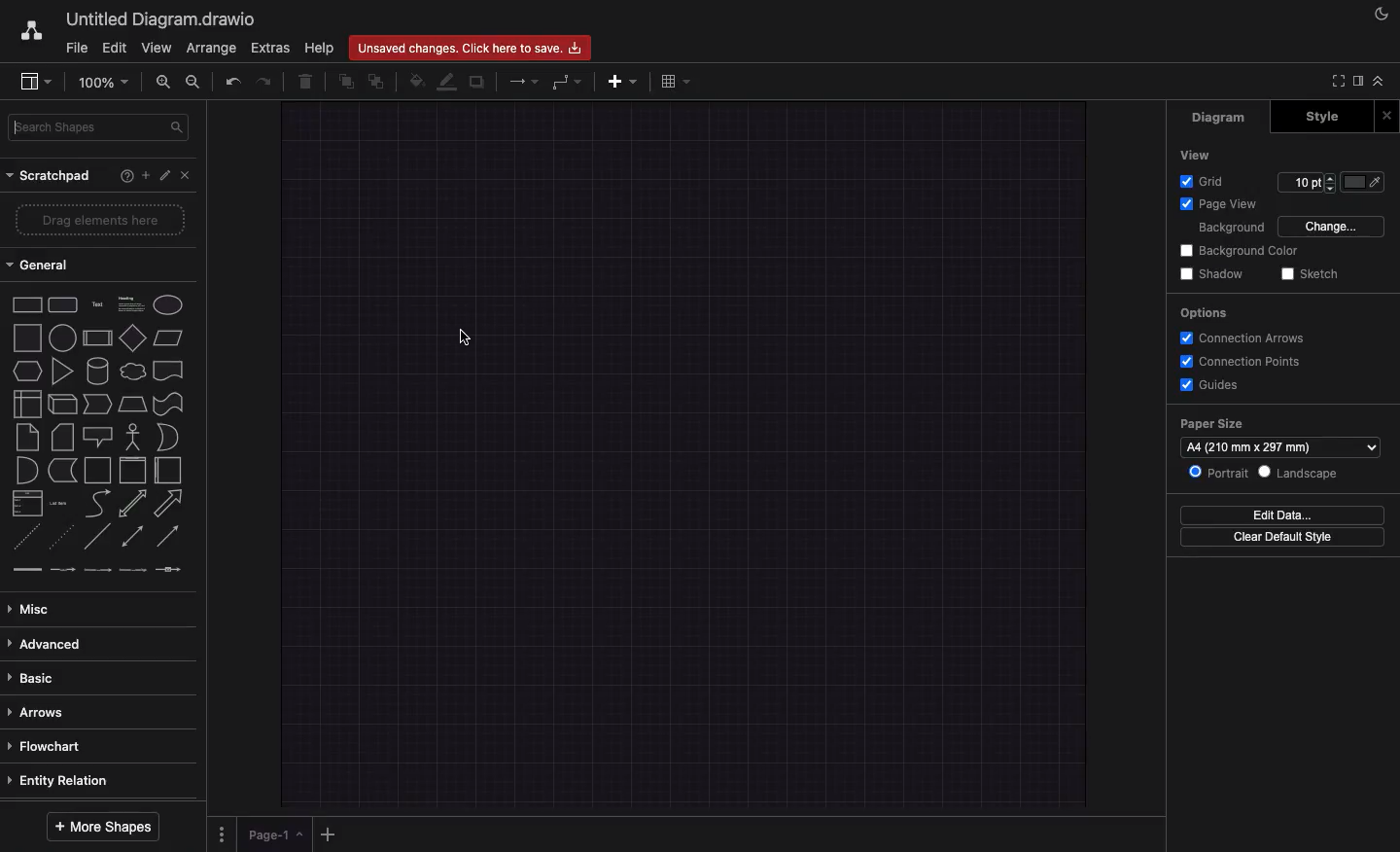 This screenshot has height=852, width=1400. Describe the element at coordinates (118, 175) in the screenshot. I see `Help` at that location.